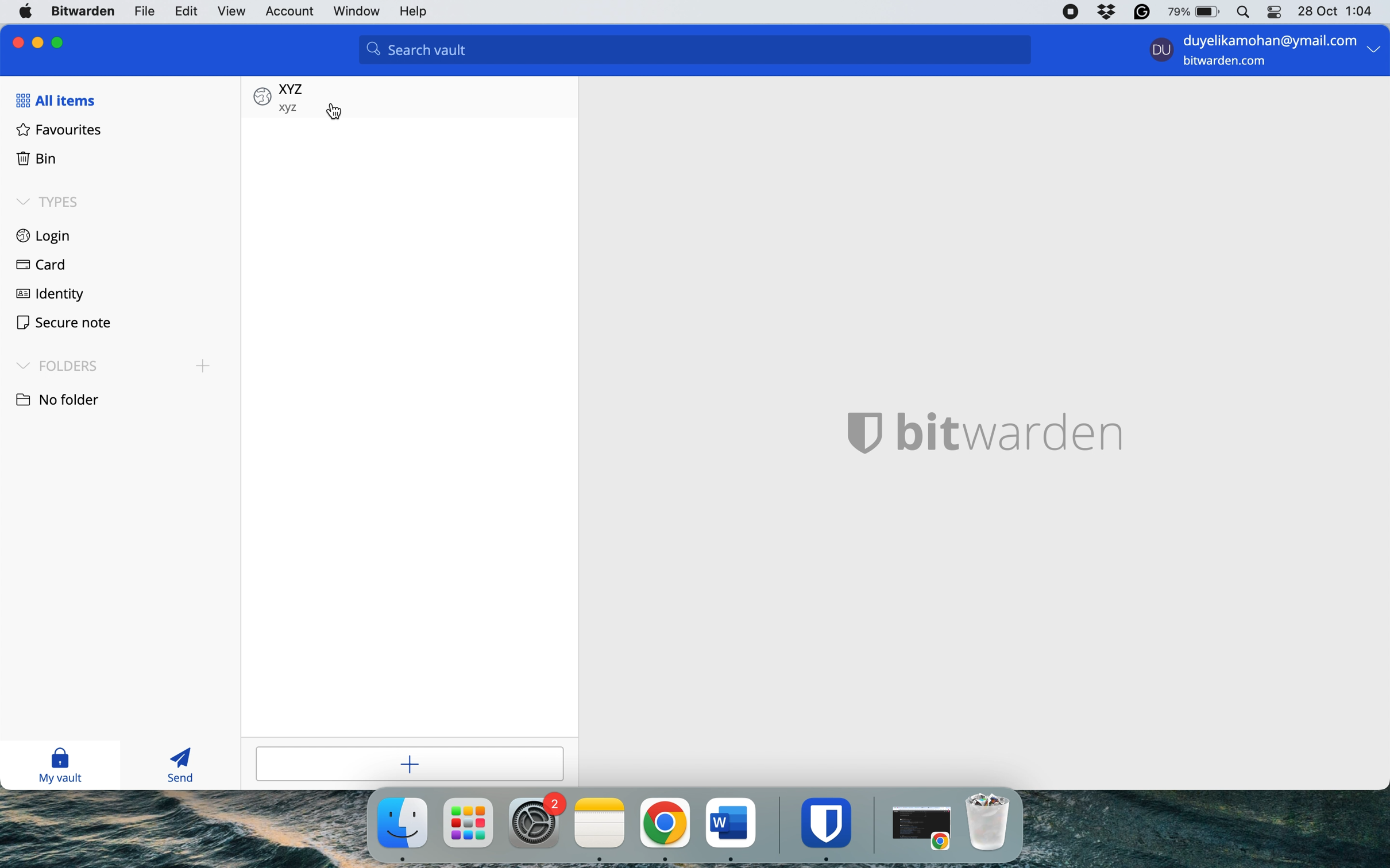 The image size is (1390, 868). I want to click on notes, so click(601, 823).